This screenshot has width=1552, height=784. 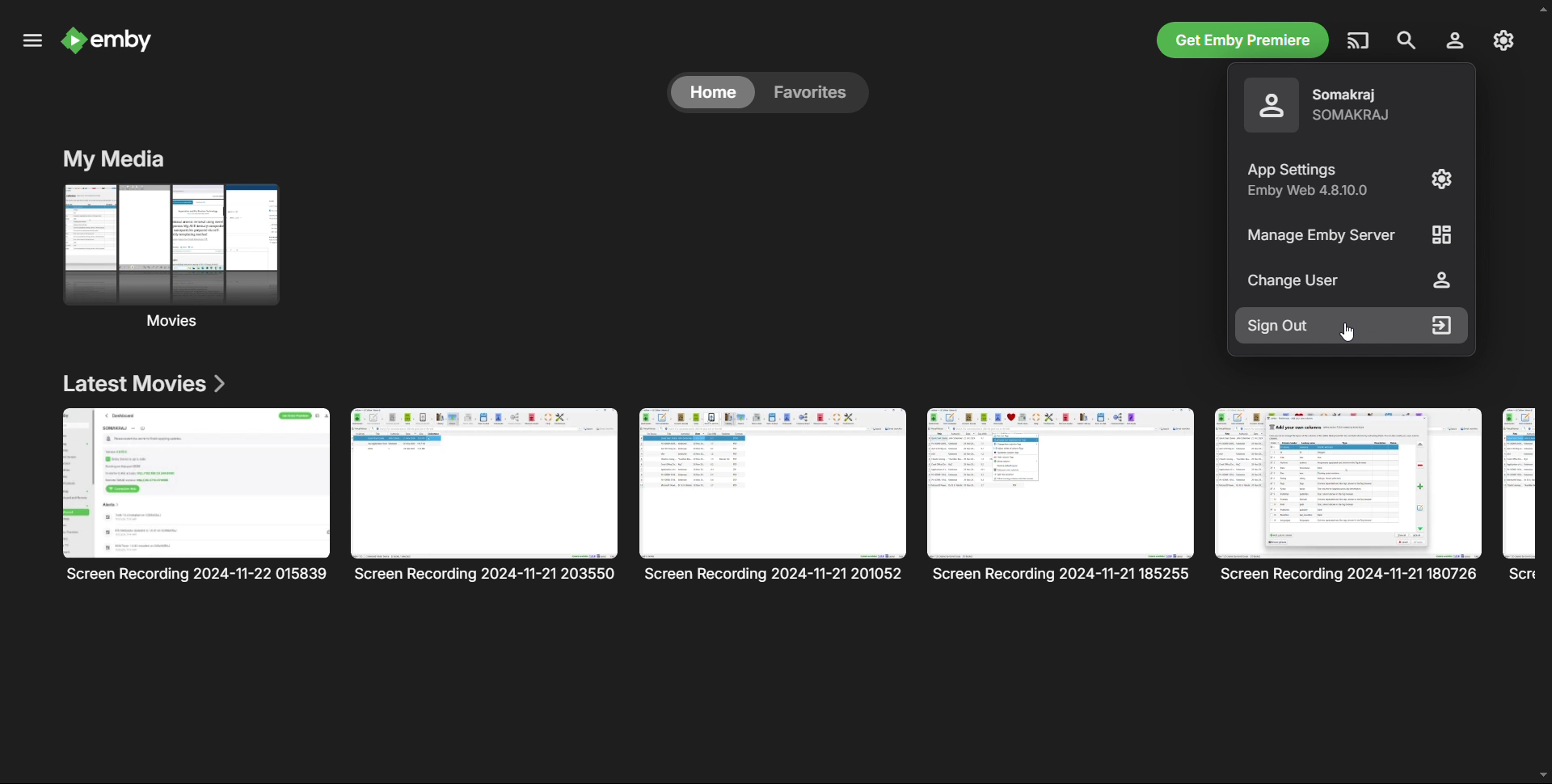 What do you see at coordinates (109, 41) in the screenshot?
I see `logo` at bounding box center [109, 41].